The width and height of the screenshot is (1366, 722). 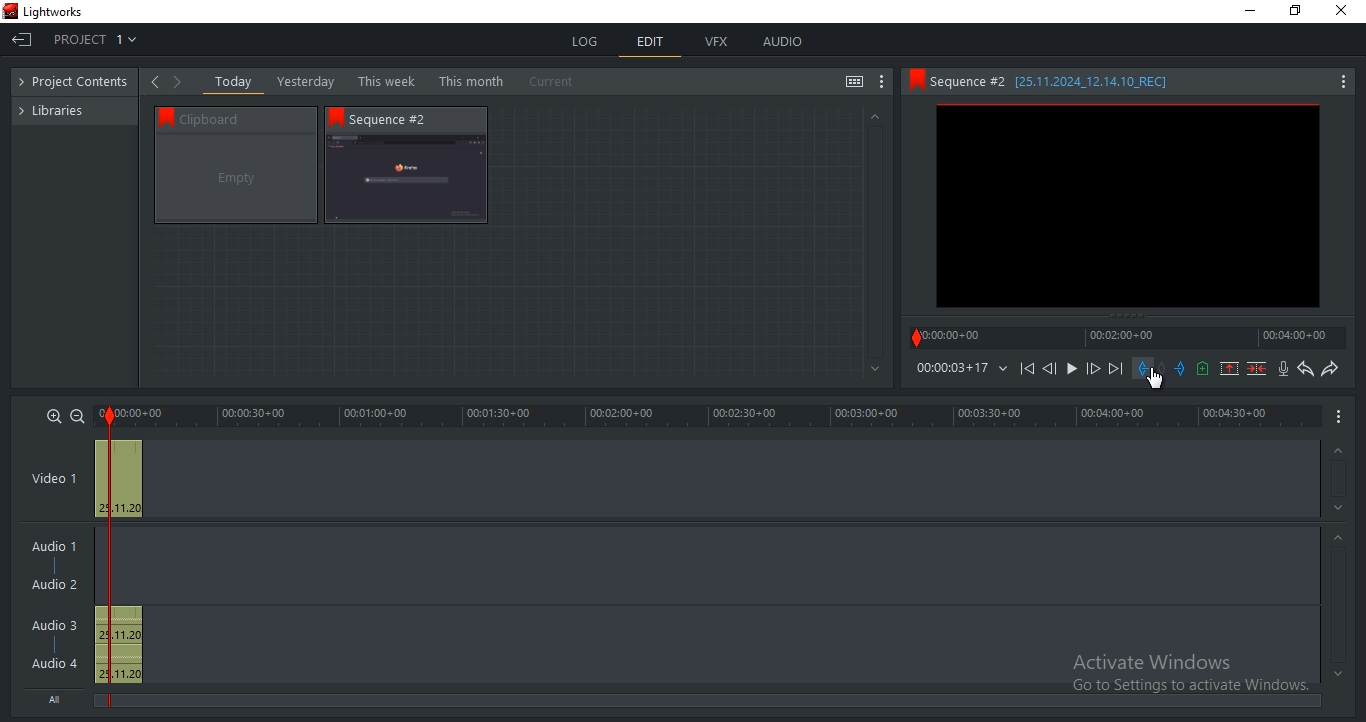 What do you see at coordinates (1329, 368) in the screenshot?
I see `redo` at bounding box center [1329, 368].